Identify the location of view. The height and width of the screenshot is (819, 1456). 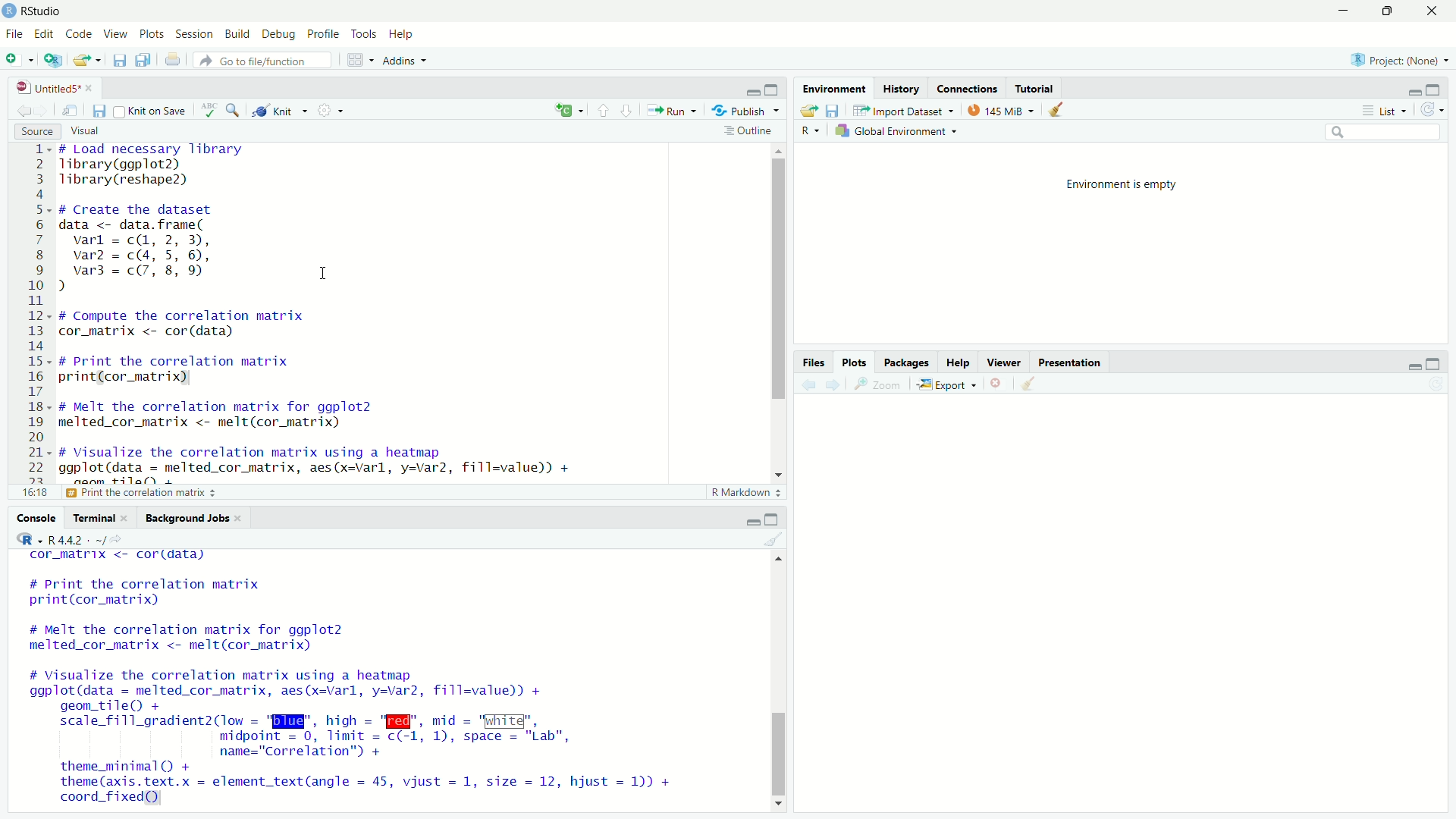
(116, 35).